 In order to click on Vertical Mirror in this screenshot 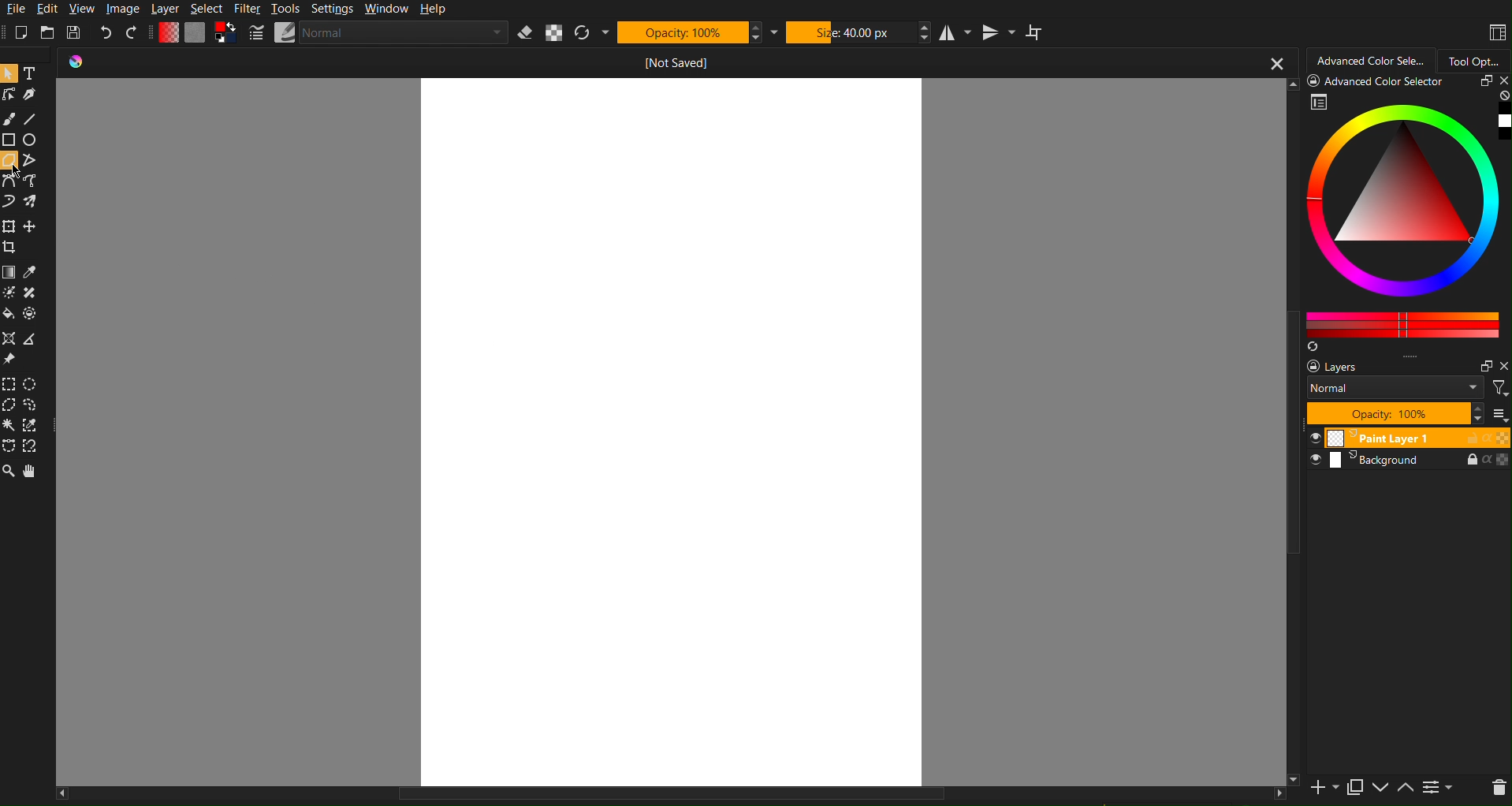, I will do `click(999, 32)`.